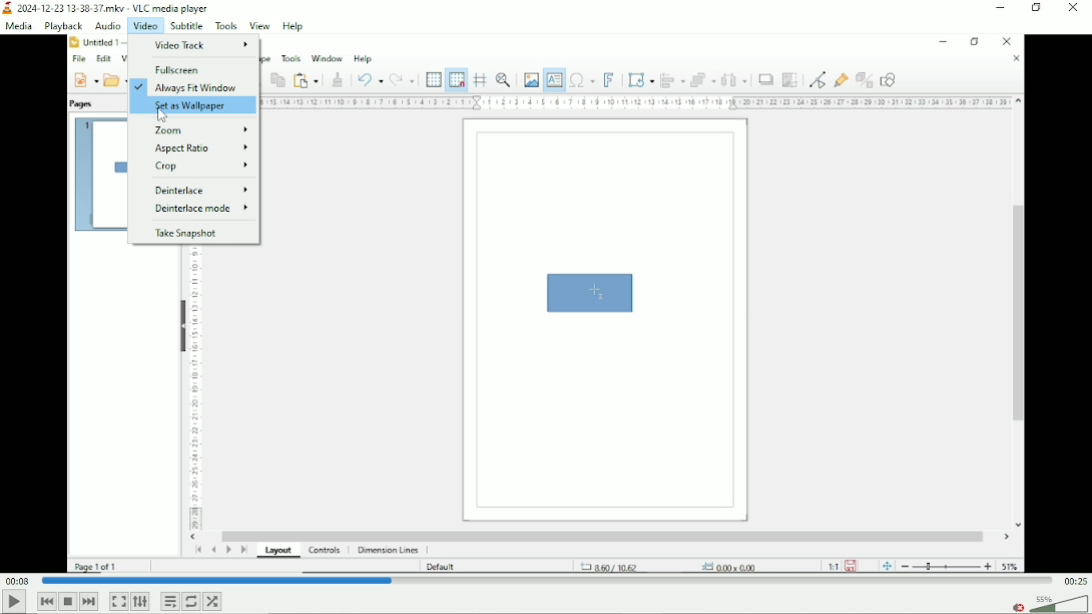 This screenshot has height=614, width=1092. I want to click on View, so click(260, 26).